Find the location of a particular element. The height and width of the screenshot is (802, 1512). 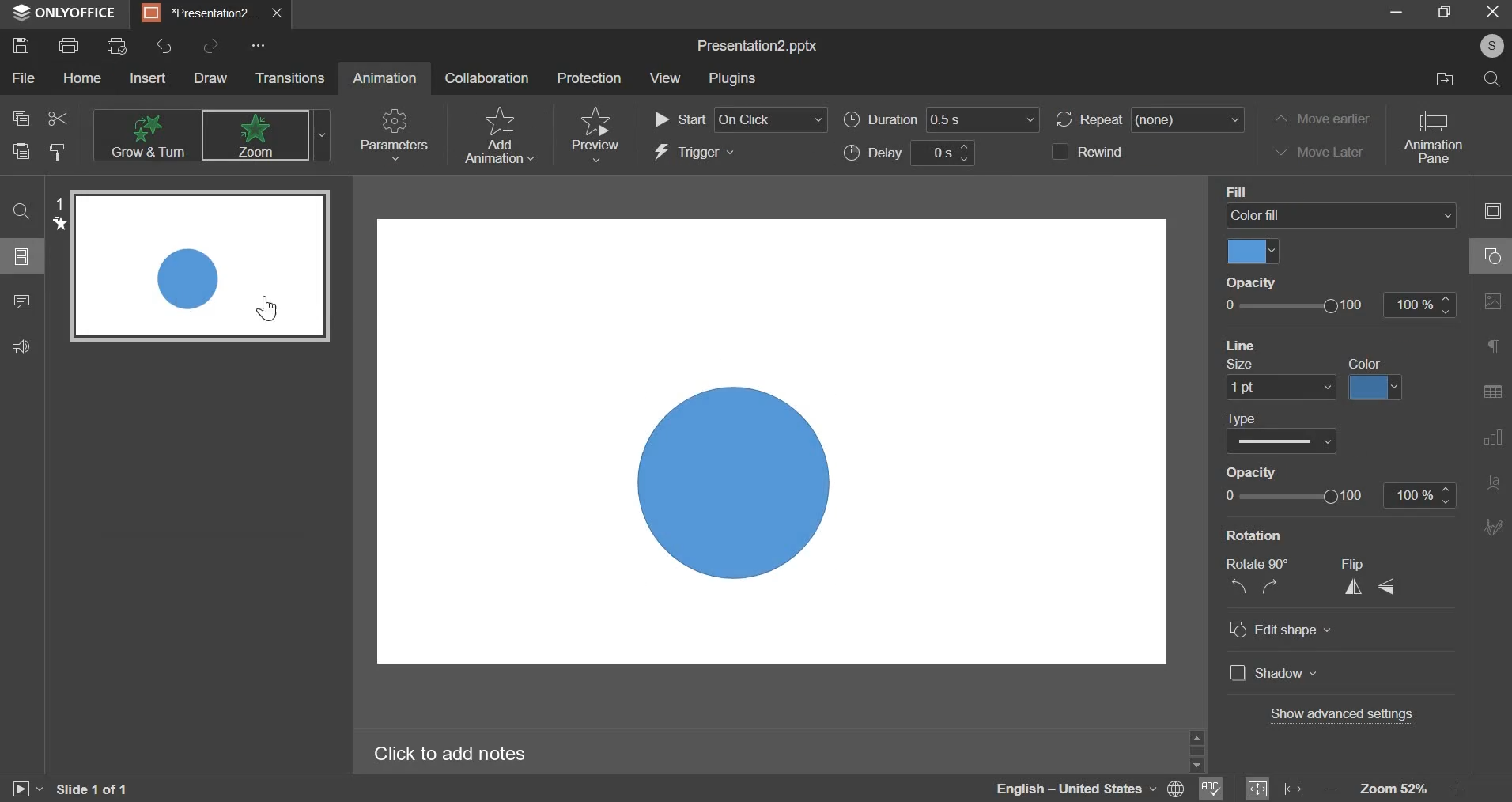

spellcheck is located at coordinates (1212, 786).